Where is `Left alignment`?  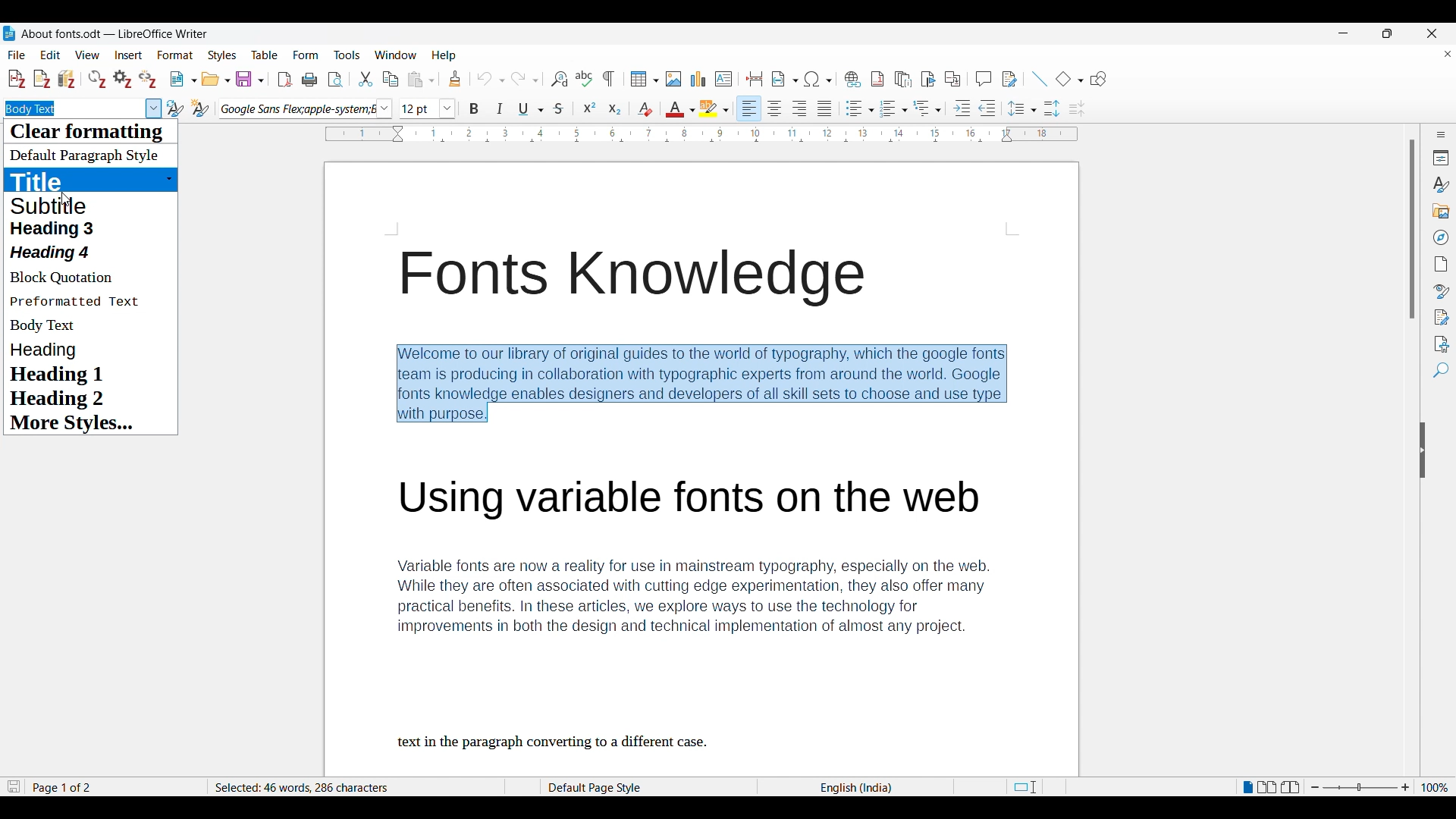
Left alignment is located at coordinates (748, 108).